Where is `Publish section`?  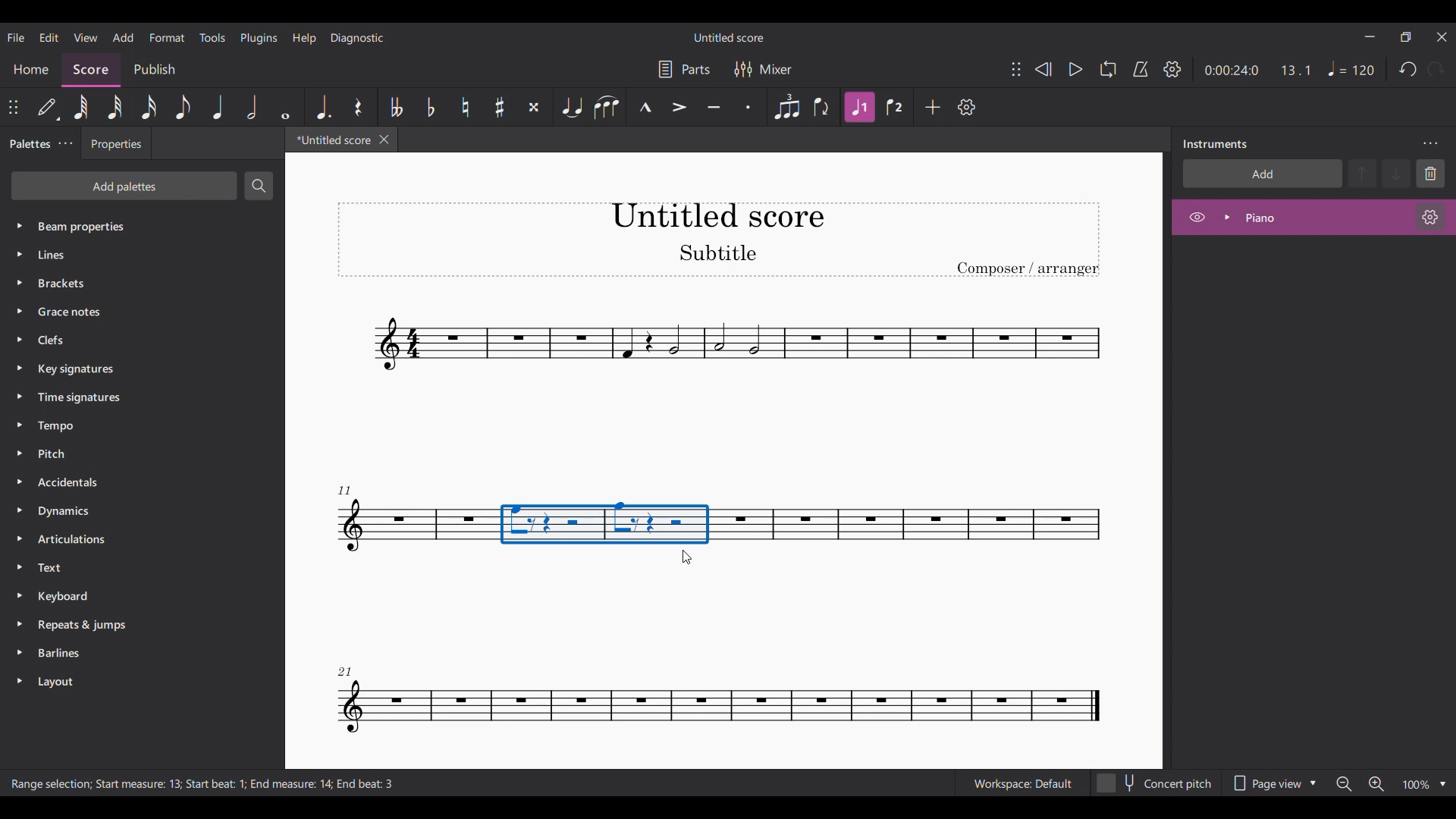 Publish section is located at coordinates (154, 67).